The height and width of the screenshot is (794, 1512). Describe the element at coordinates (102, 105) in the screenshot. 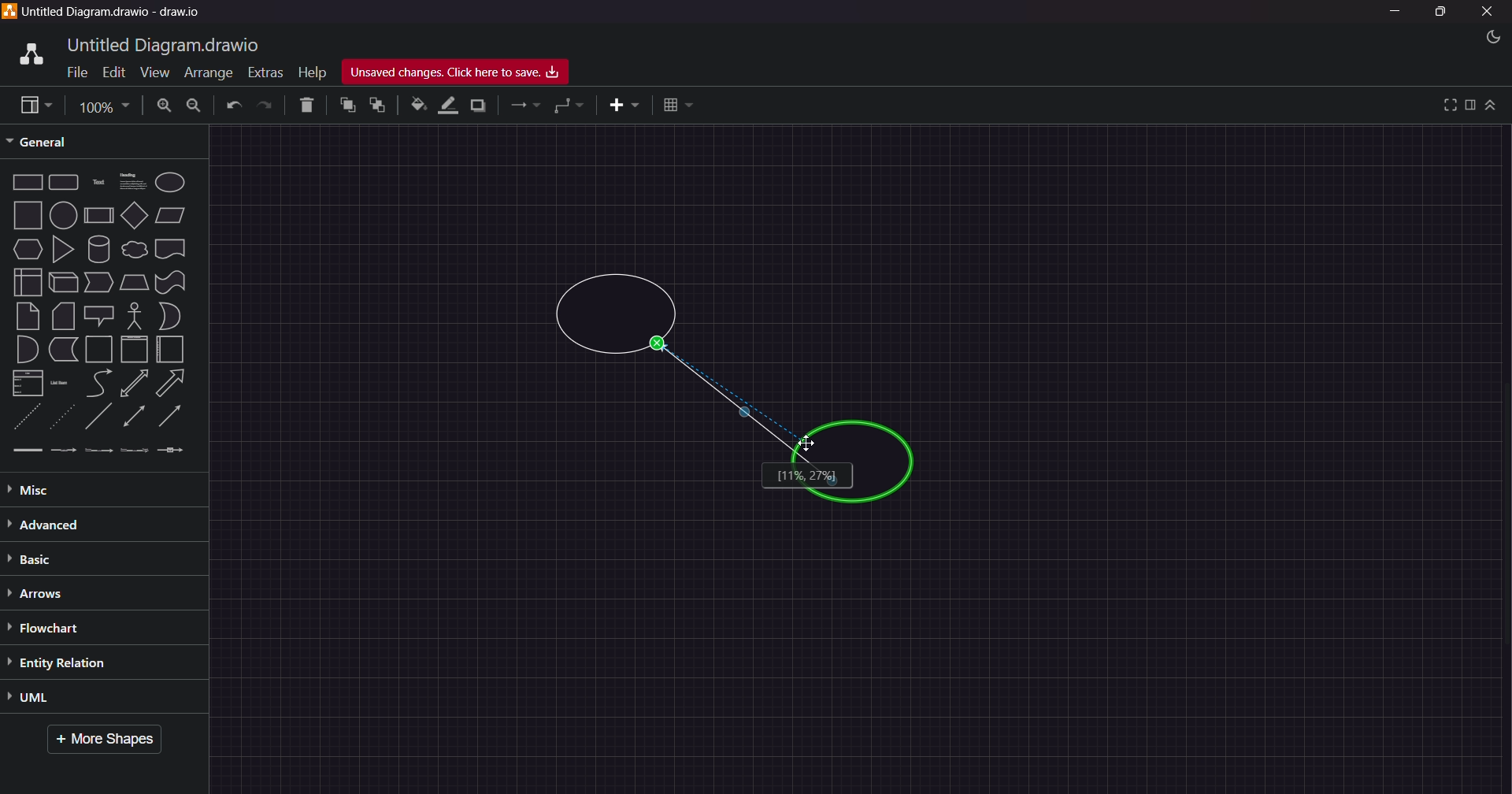

I see `Page Size` at that location.